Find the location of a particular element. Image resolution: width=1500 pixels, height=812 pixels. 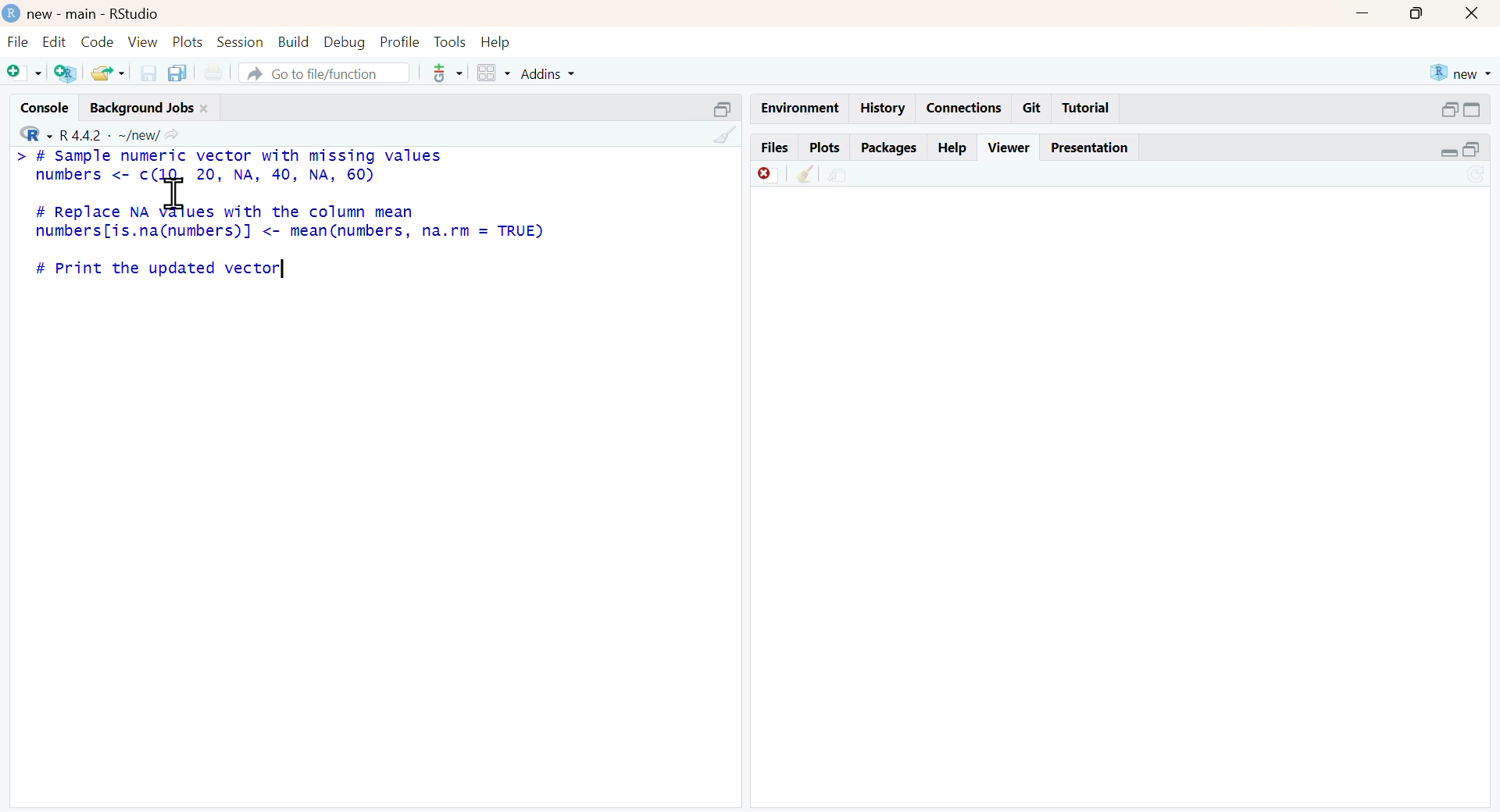

save is located at coordinates (150, 73).